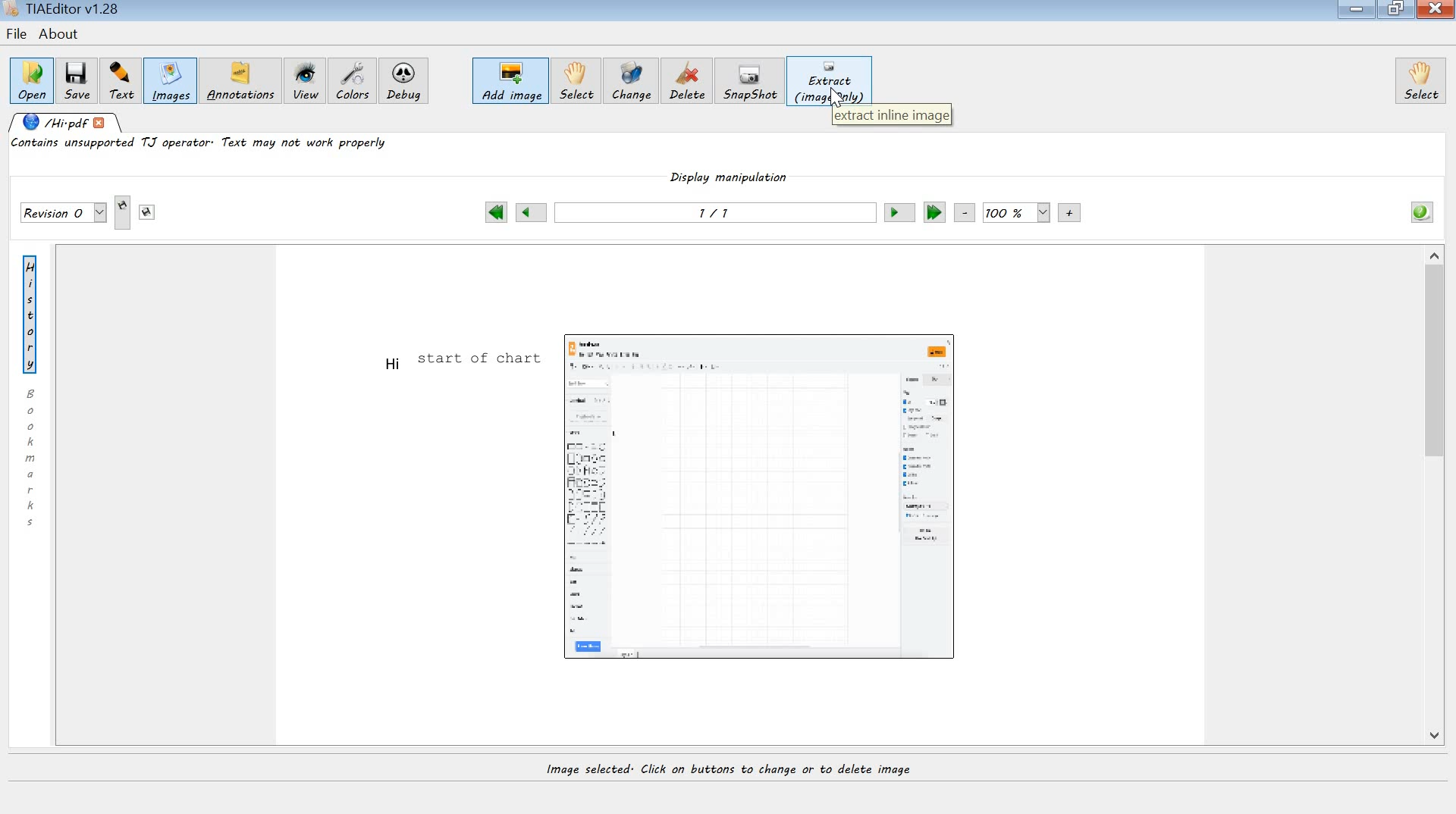  What do you see at coordinates (306, 83) in the screenshot?
I see `view` at bounding box center [306, 83].